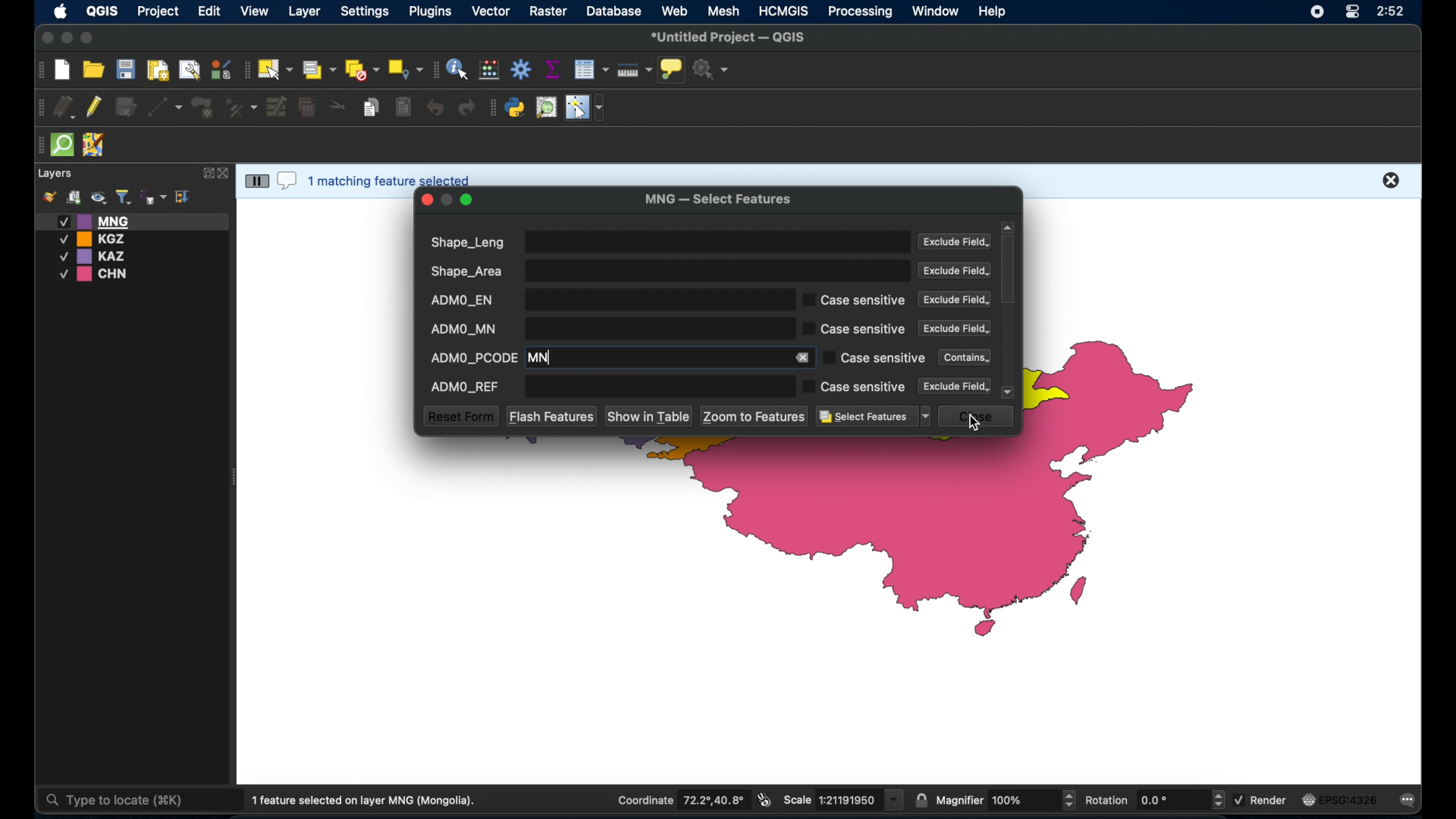 This screenshot has width=1456, height=819. I want to click on no action selected , so click(712, 69).